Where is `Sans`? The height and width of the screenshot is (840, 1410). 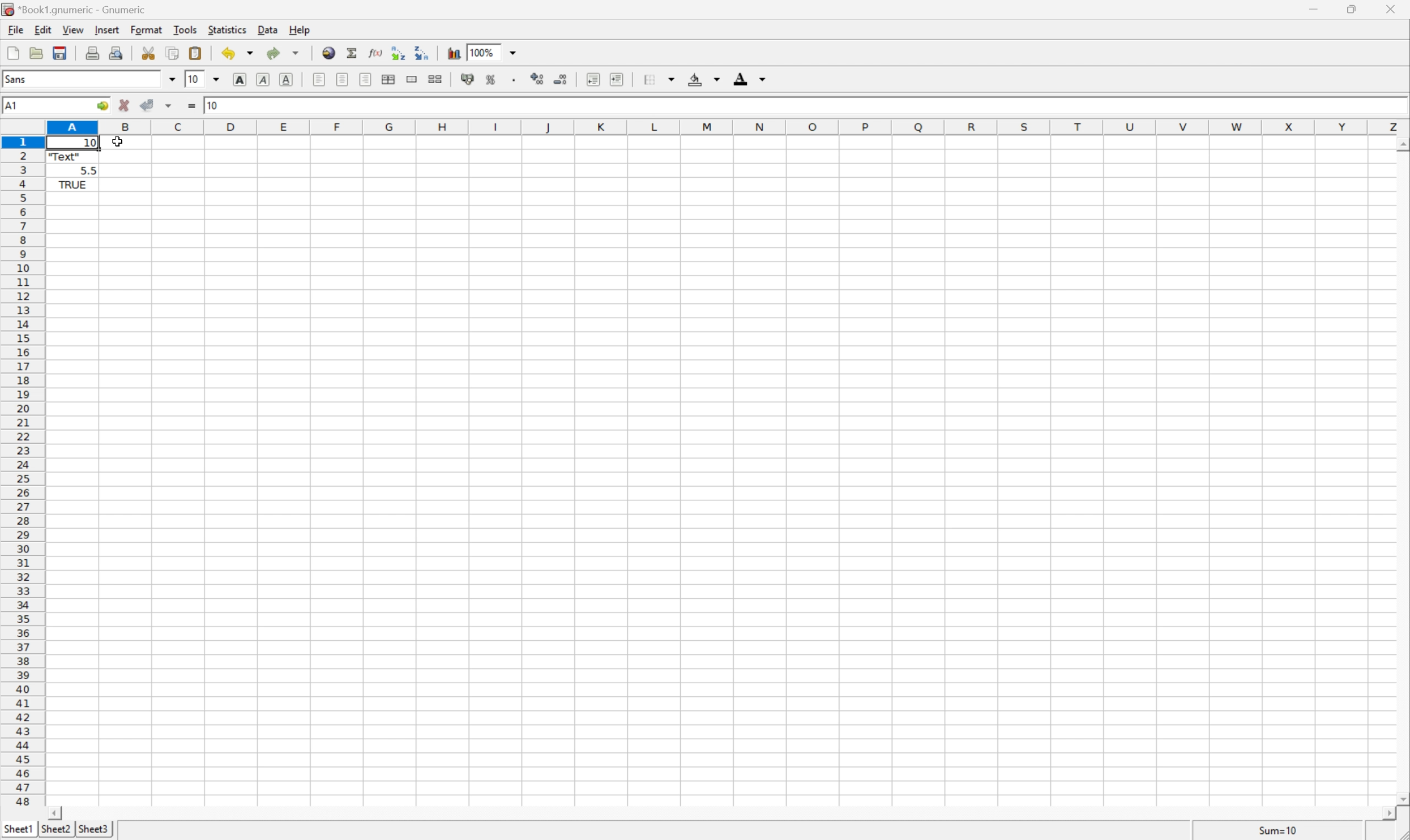 Sans is located at coordinates (17, 78).